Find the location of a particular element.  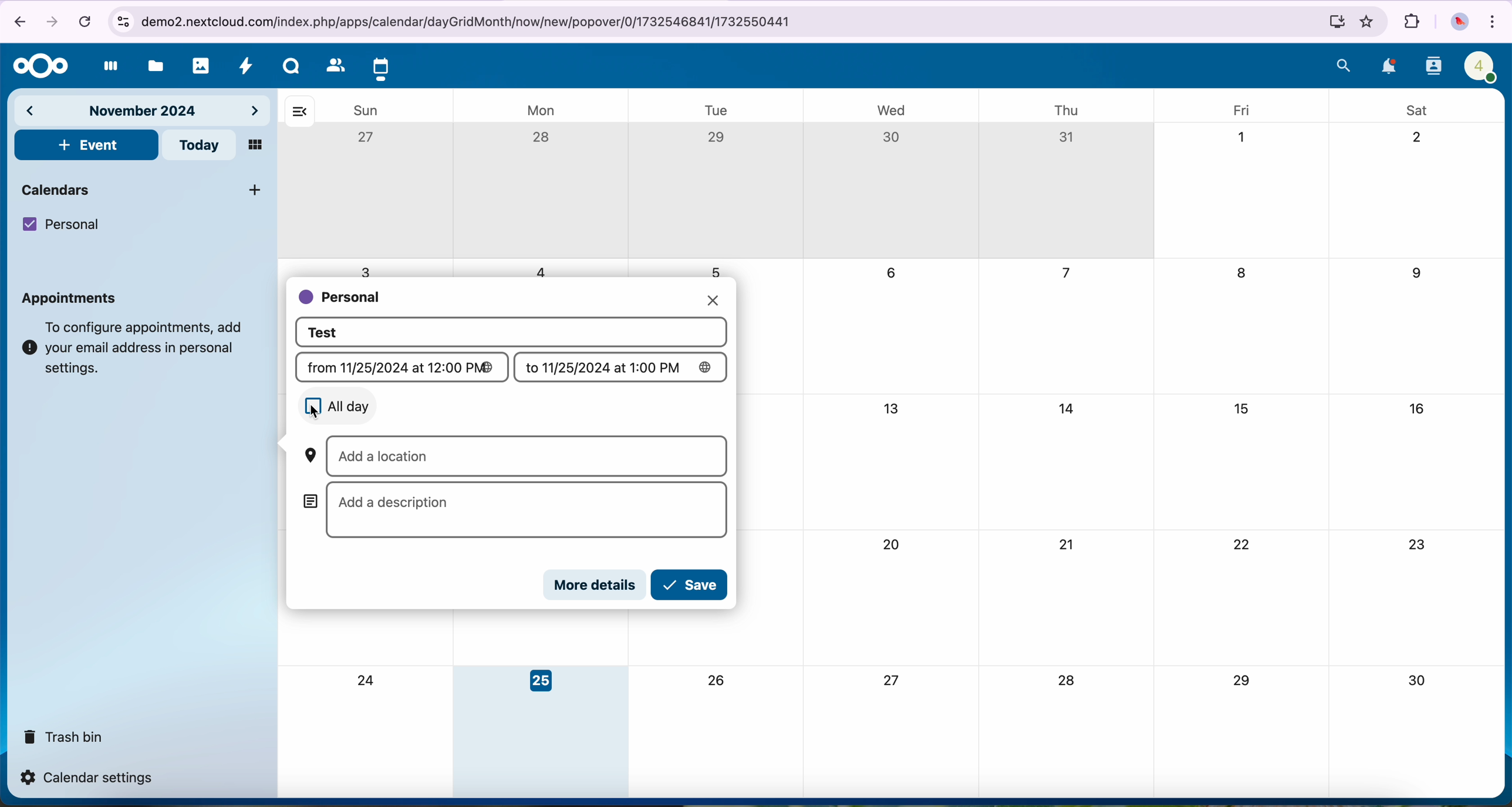

day 25 selected is located at coordinates (544, 734).